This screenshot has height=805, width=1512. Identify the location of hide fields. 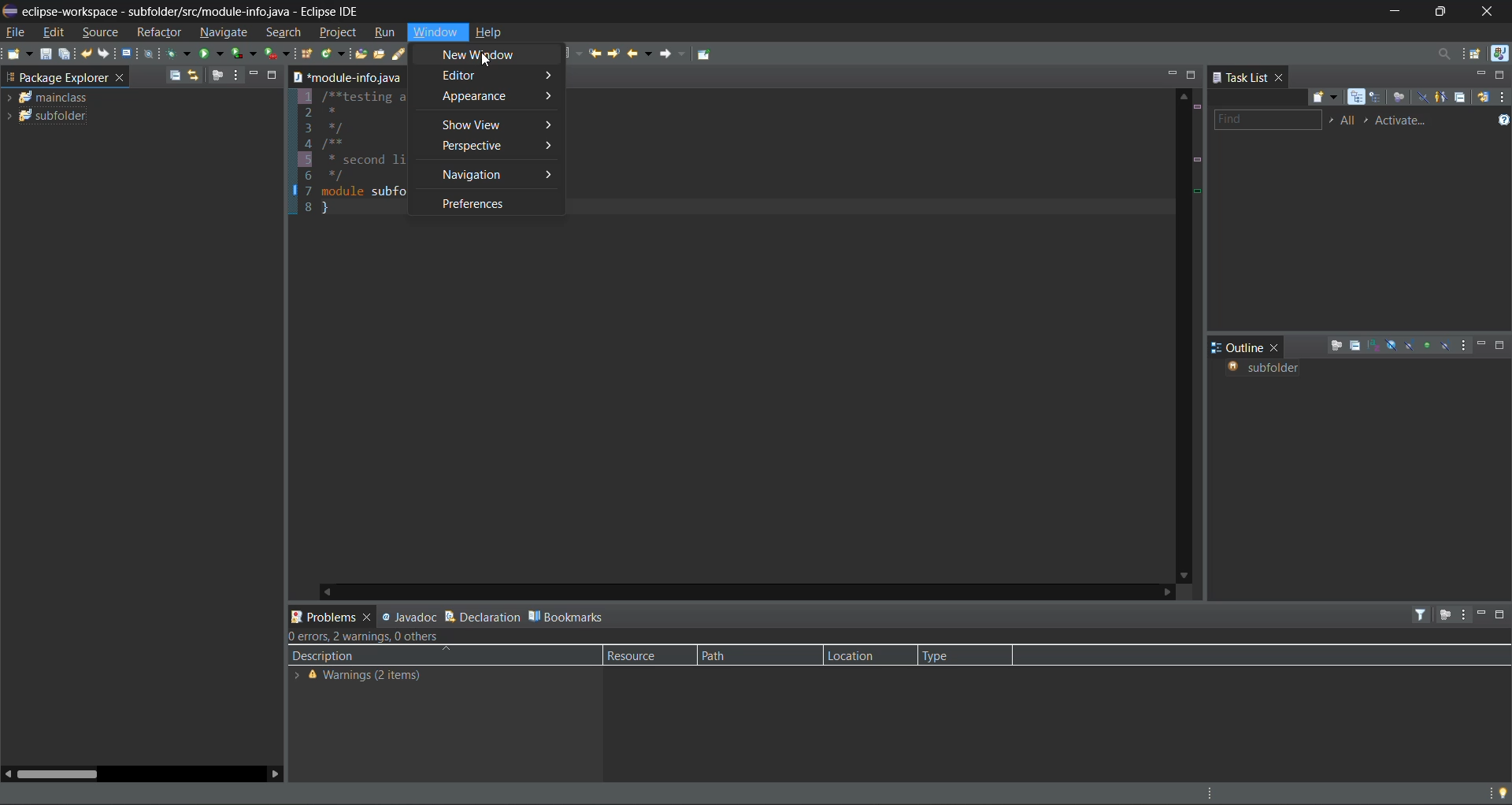
(1392, 347).